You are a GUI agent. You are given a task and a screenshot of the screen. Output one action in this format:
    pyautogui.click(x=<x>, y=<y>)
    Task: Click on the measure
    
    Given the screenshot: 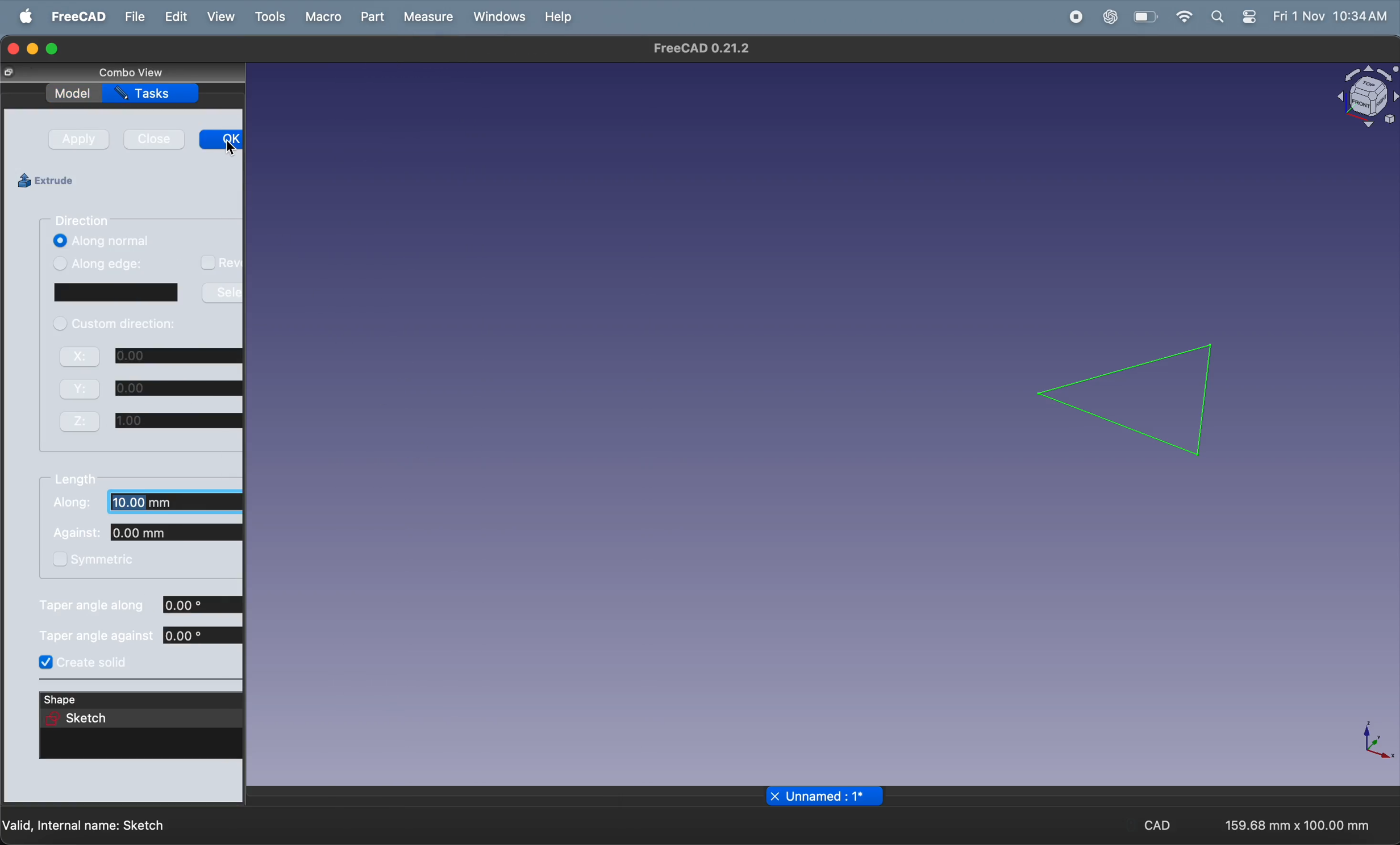 What is the action you would take?
    pyautogui.click(x=430, y=18)
    